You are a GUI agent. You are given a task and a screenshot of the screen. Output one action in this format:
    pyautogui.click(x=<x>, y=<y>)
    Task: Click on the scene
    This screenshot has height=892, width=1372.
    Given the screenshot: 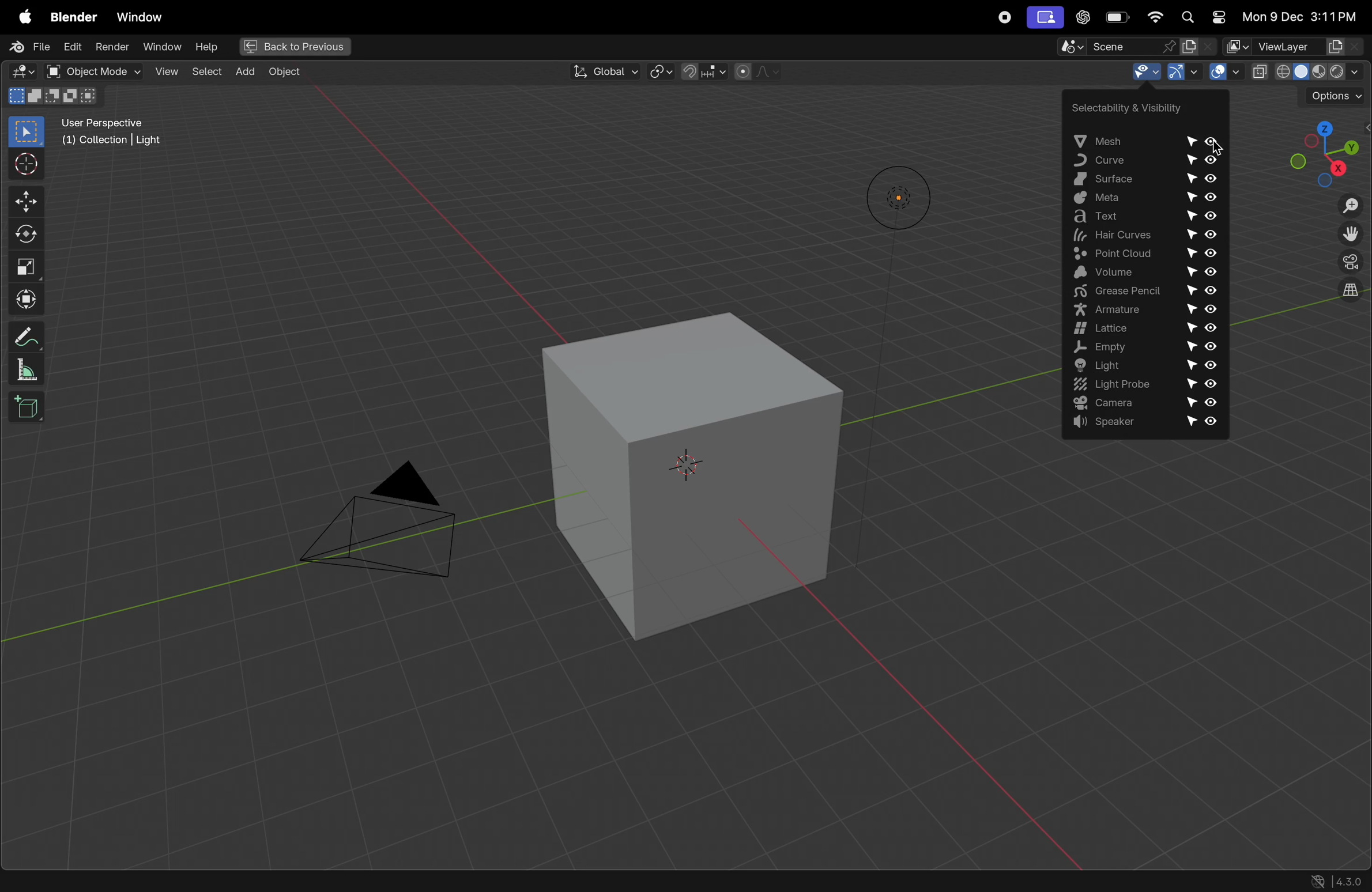 What is the action you would take?
    pyautogui.click(x=1128, y=46)
    